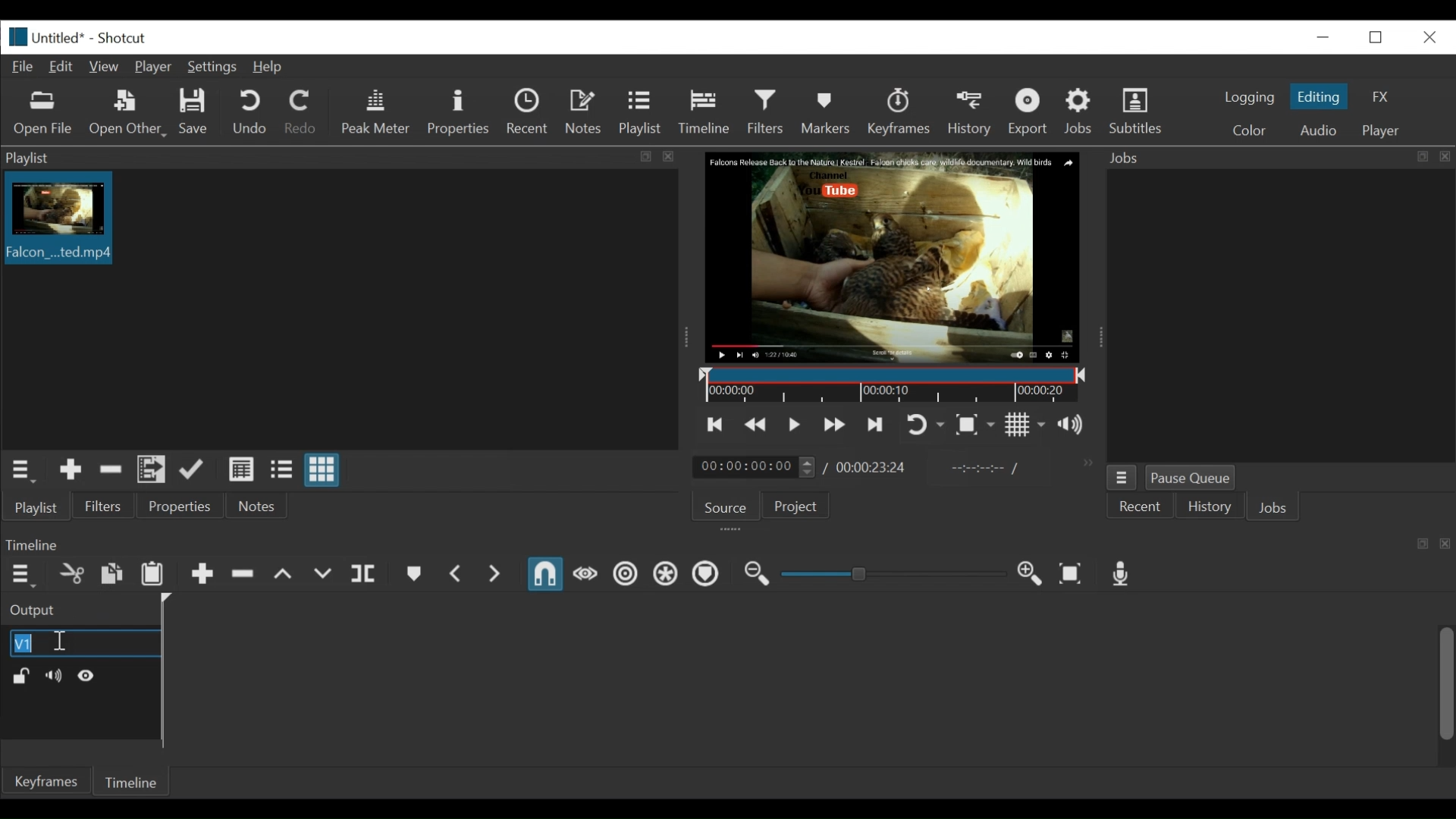 The width and height of the screenshot is (1456, 819). Describe the element at coordinates (108, 507) in the screenshot. I see `Filters` at that location.